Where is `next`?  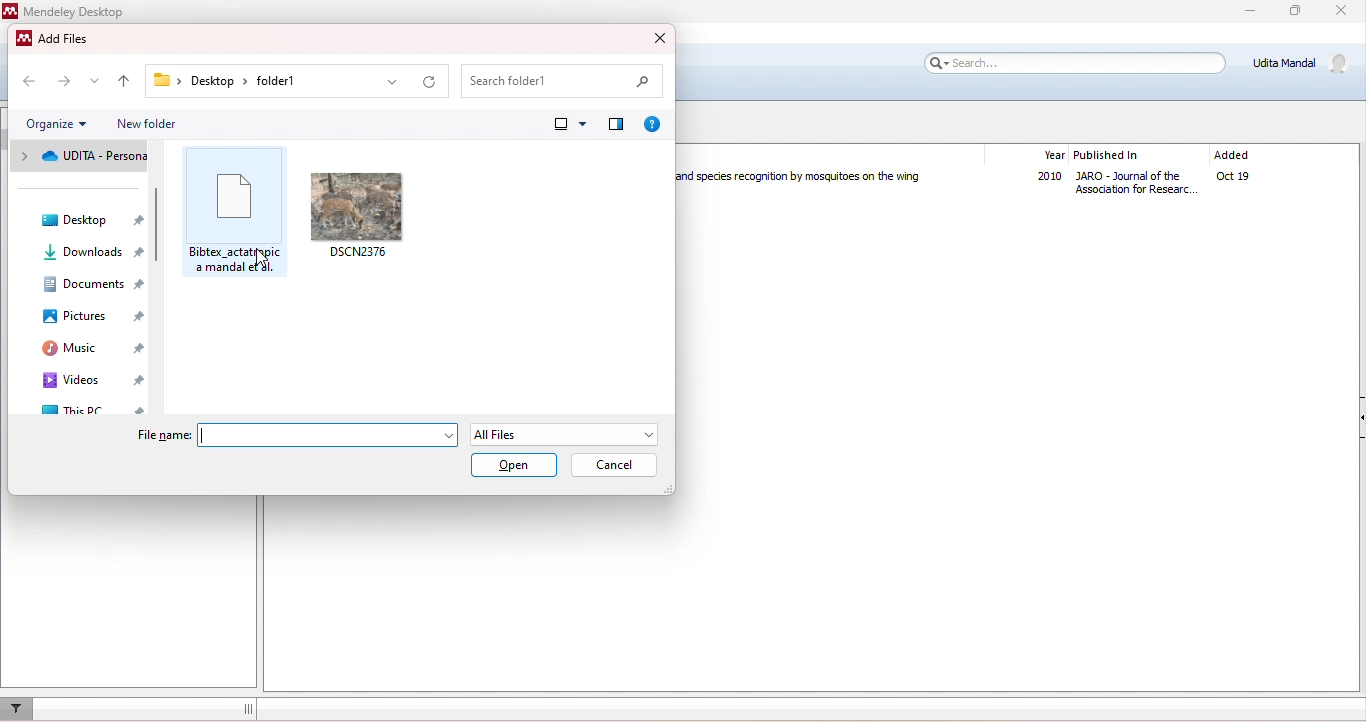 next is located at coordinates (63, 81).